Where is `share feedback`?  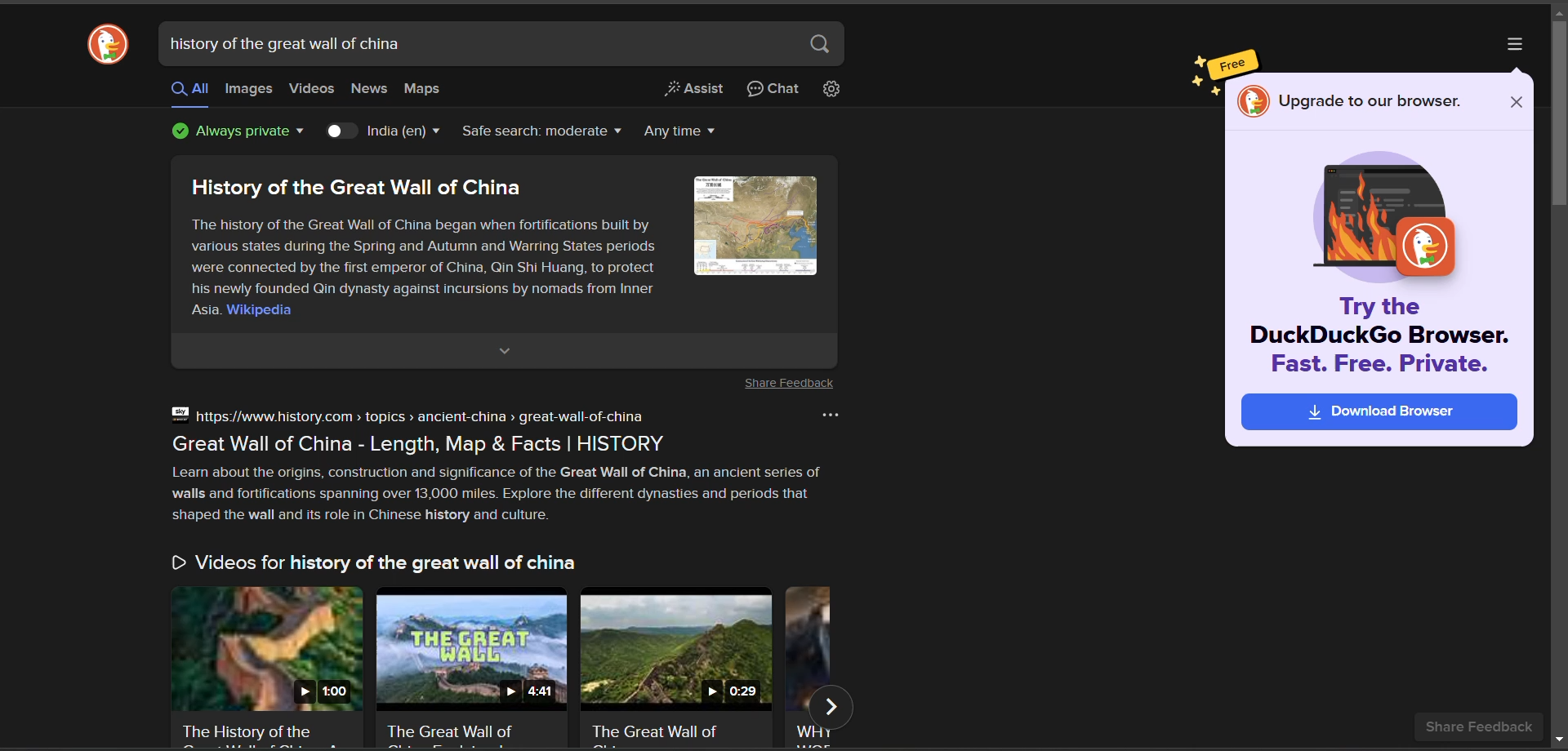
share feedback is located at coordinates (1483, 727).